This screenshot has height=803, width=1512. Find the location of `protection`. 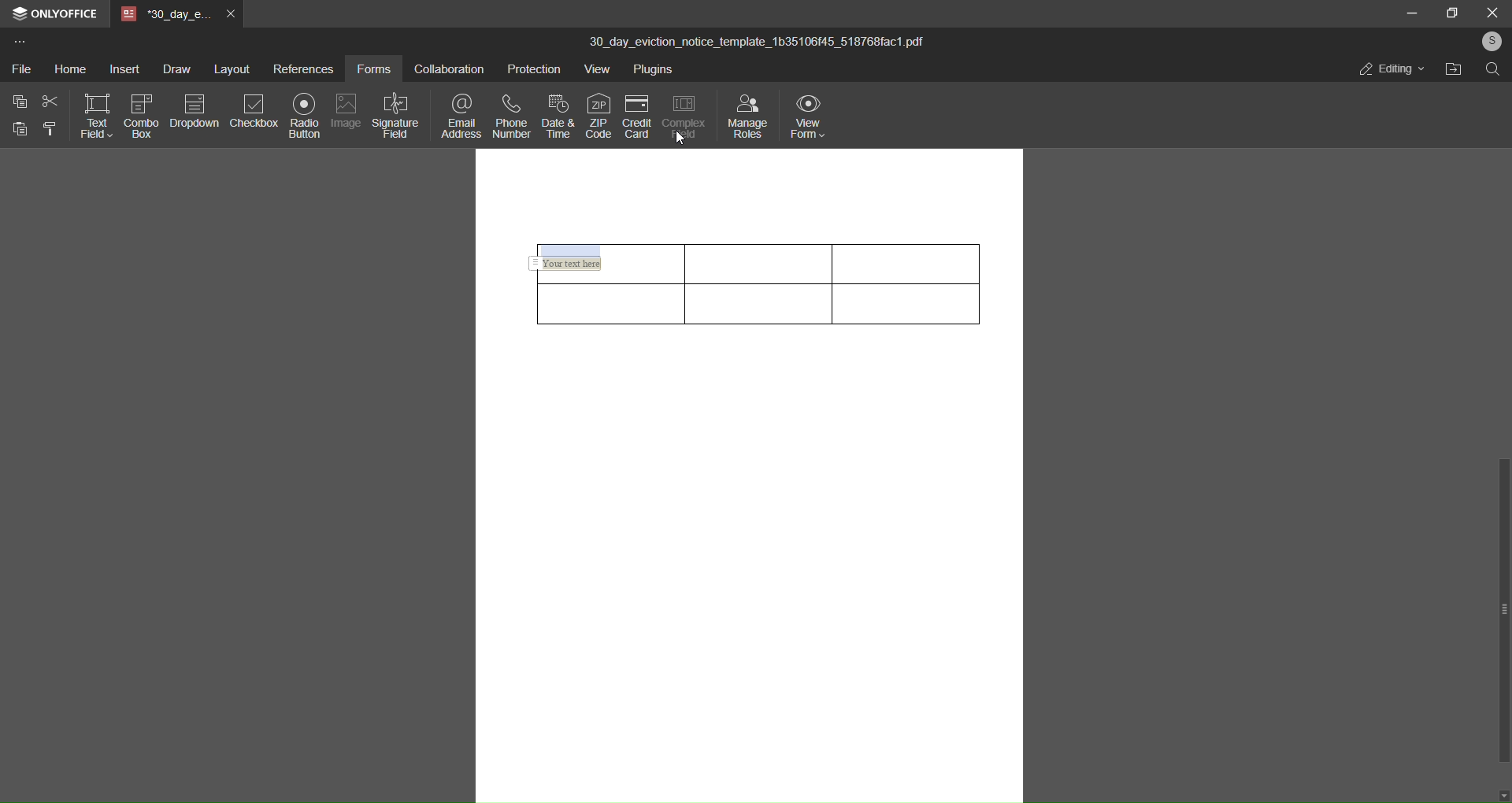

protection is located at coordinates (532, 72).